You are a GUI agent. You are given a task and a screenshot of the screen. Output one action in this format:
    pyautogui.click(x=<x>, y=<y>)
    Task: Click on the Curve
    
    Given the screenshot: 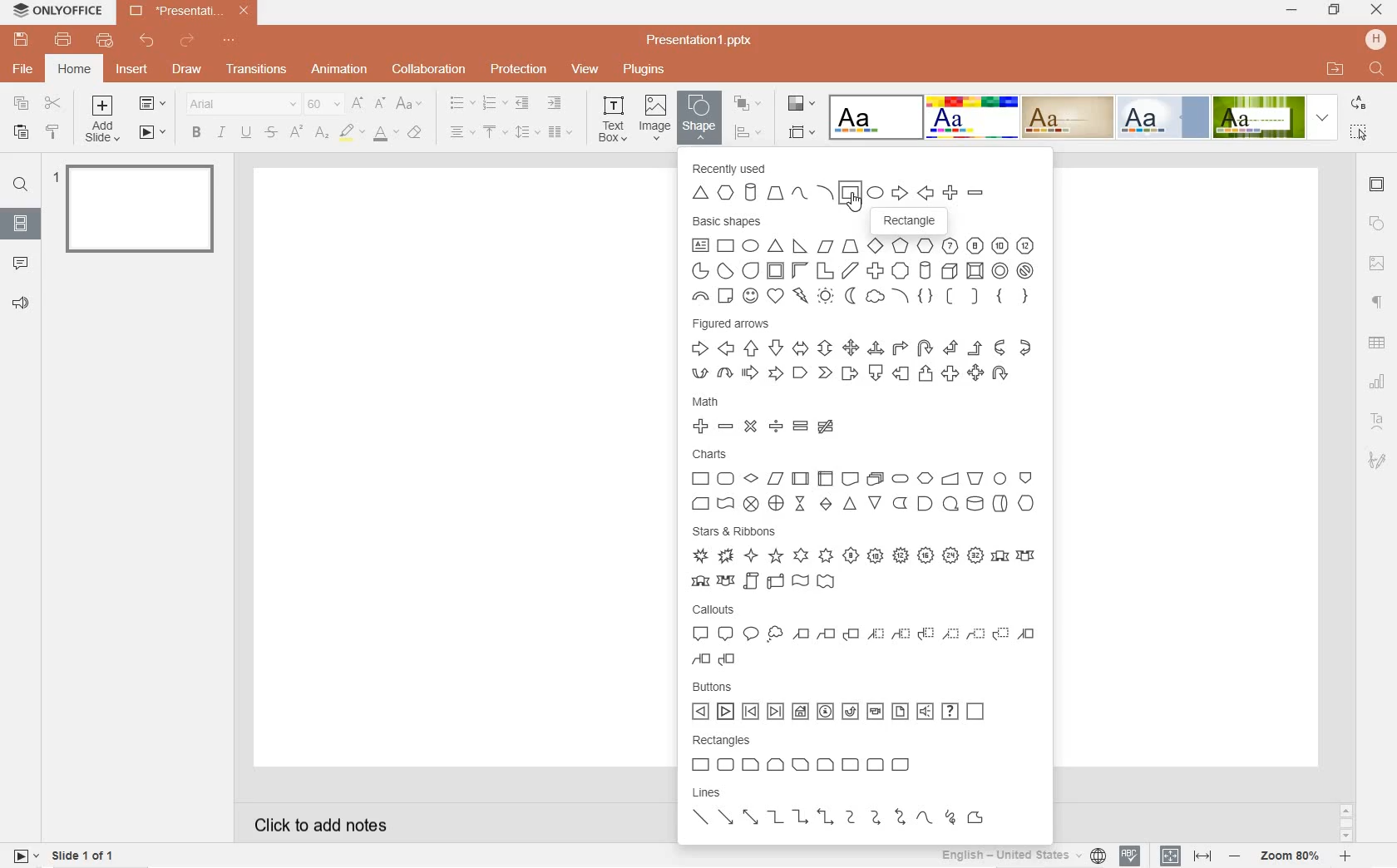 What is the action you would take?
    pyautogui.click(x=799, y=194)
    